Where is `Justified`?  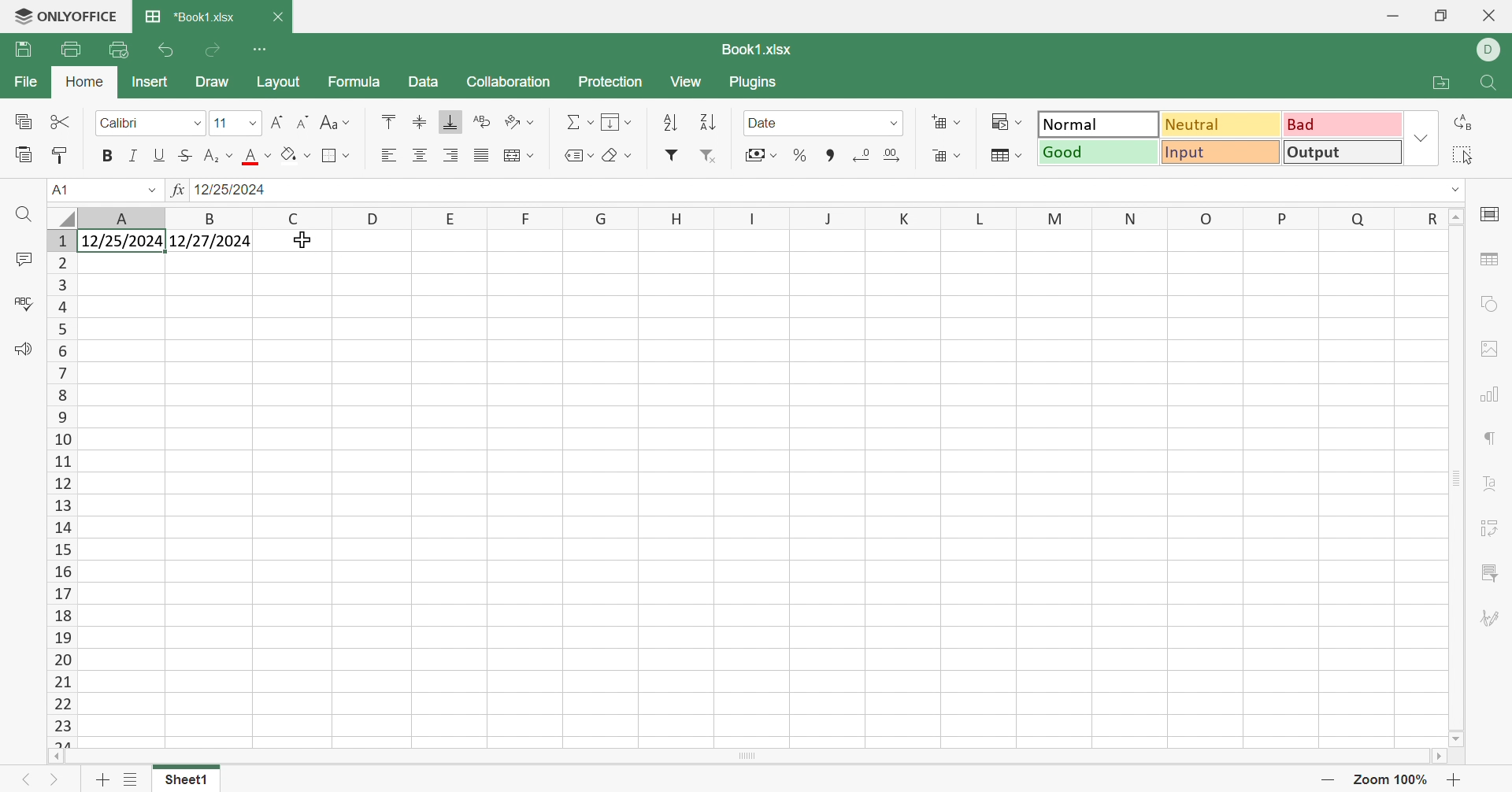 Justified is located at coordinates (480, 154).